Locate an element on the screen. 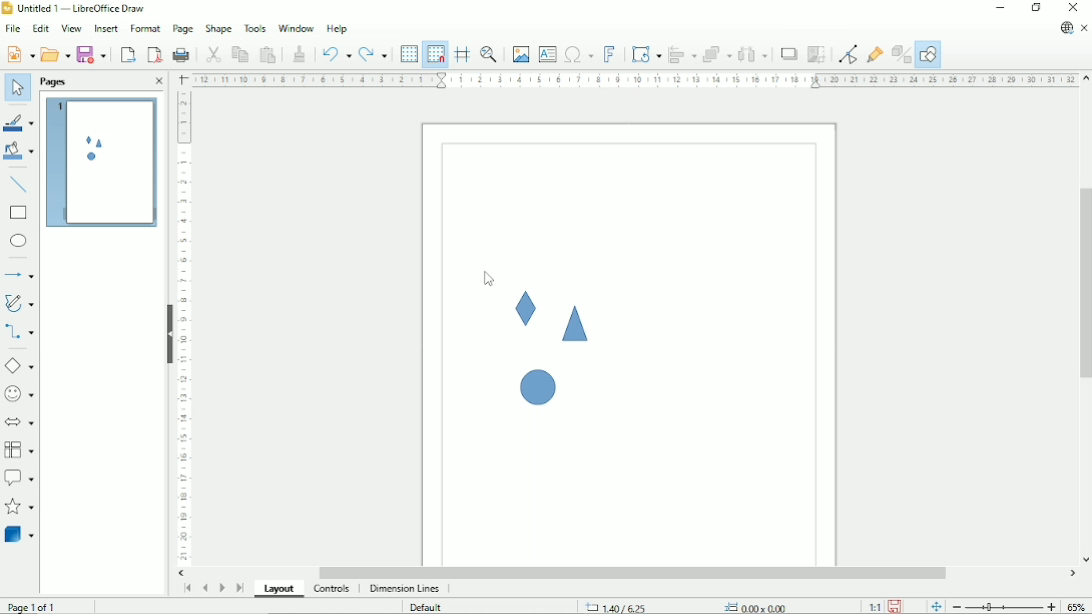 The height and width of the screenshot is (614, 1092). Display grid is located at coordinates (408, 53).